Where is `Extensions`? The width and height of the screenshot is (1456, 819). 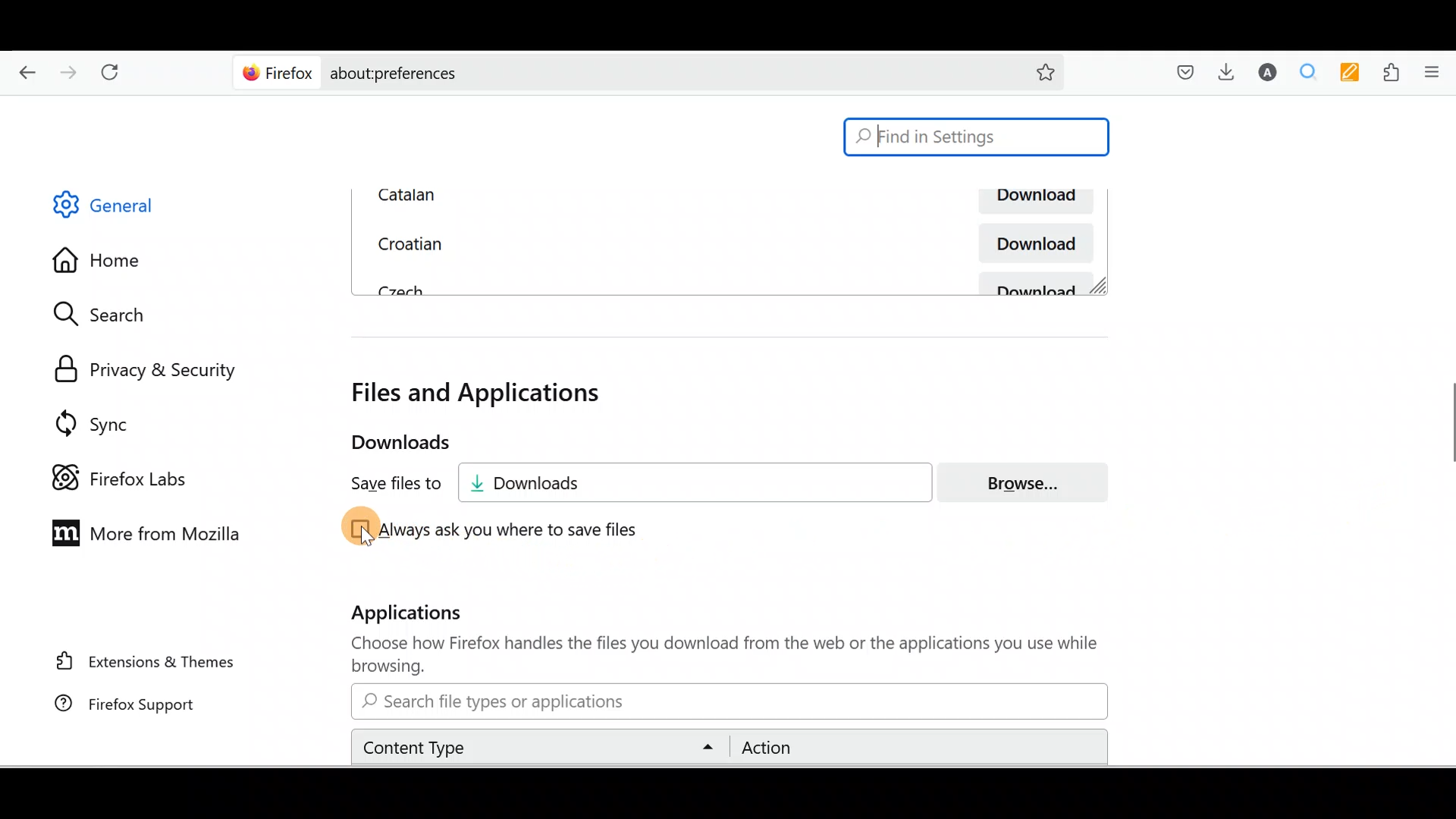 Extensions is located at coordinates (1394, 71).